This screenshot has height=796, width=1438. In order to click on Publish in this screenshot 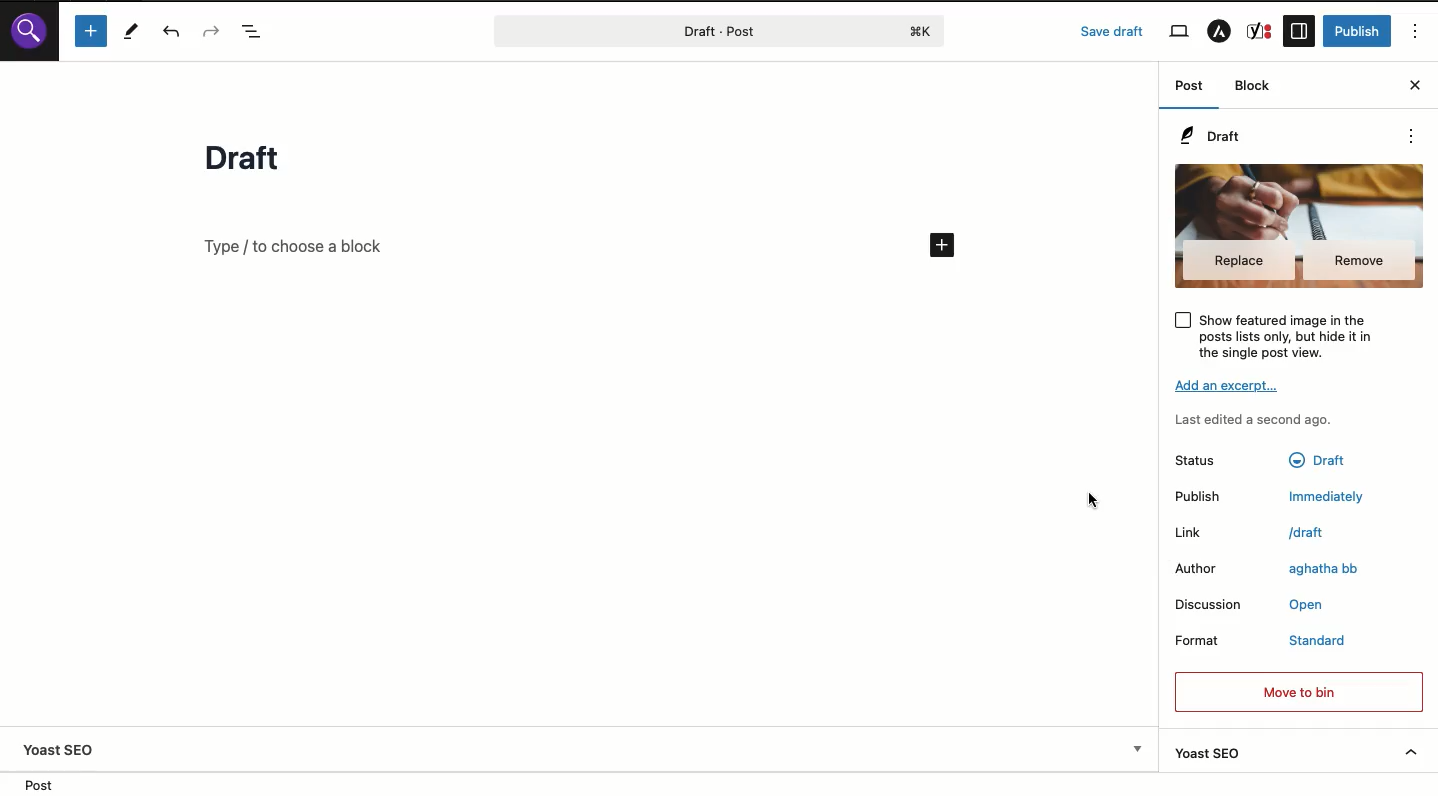, I will do `click(1197, 496)`.